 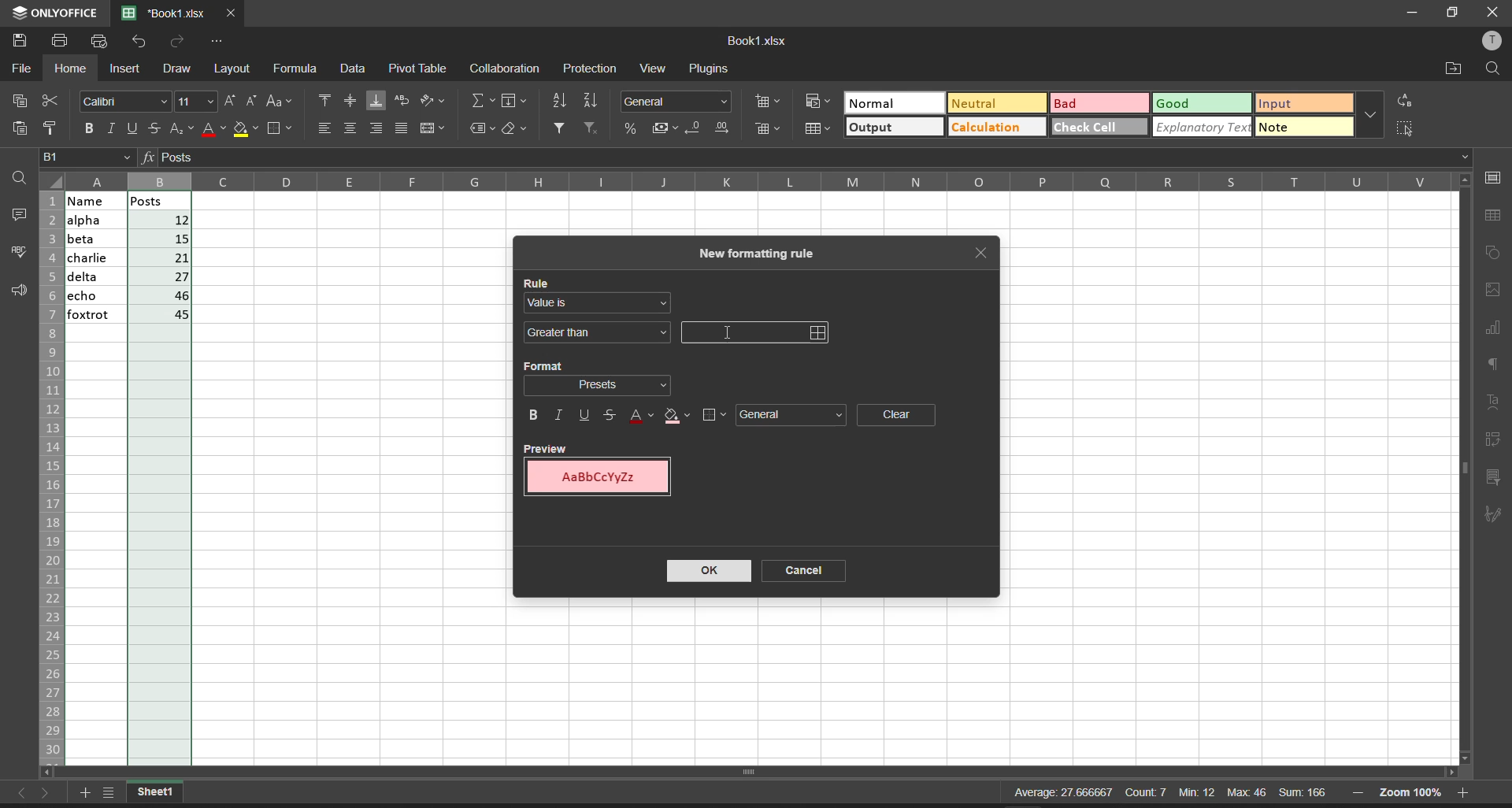 What do you see at coordinates (558, 414) in the screenshot?
I see `italic` at bounding box center [558, 414].